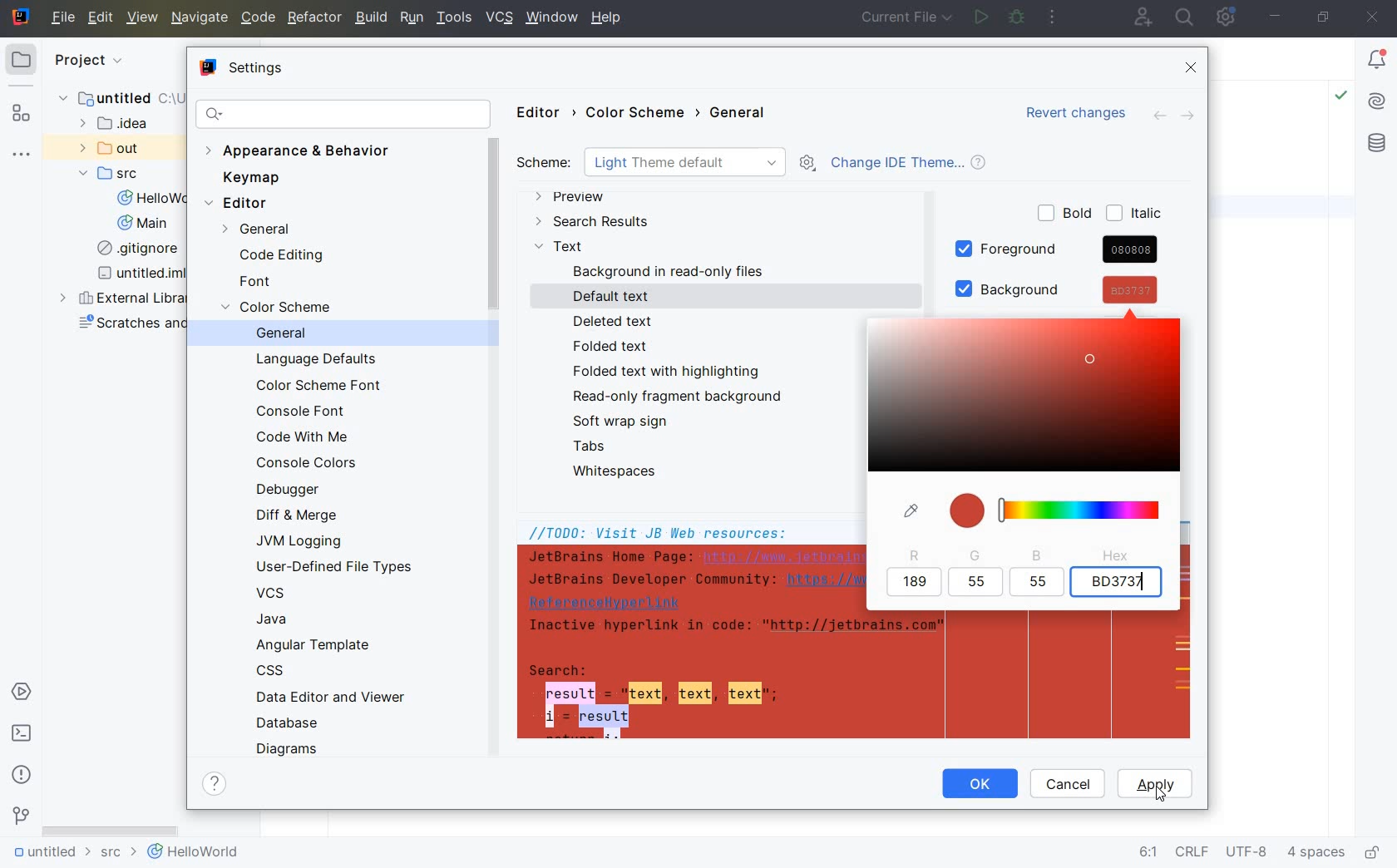 Image resolution: width=1397 pixels, height=868 pixels. I want to click on HelloWorld, so click(149, 200).